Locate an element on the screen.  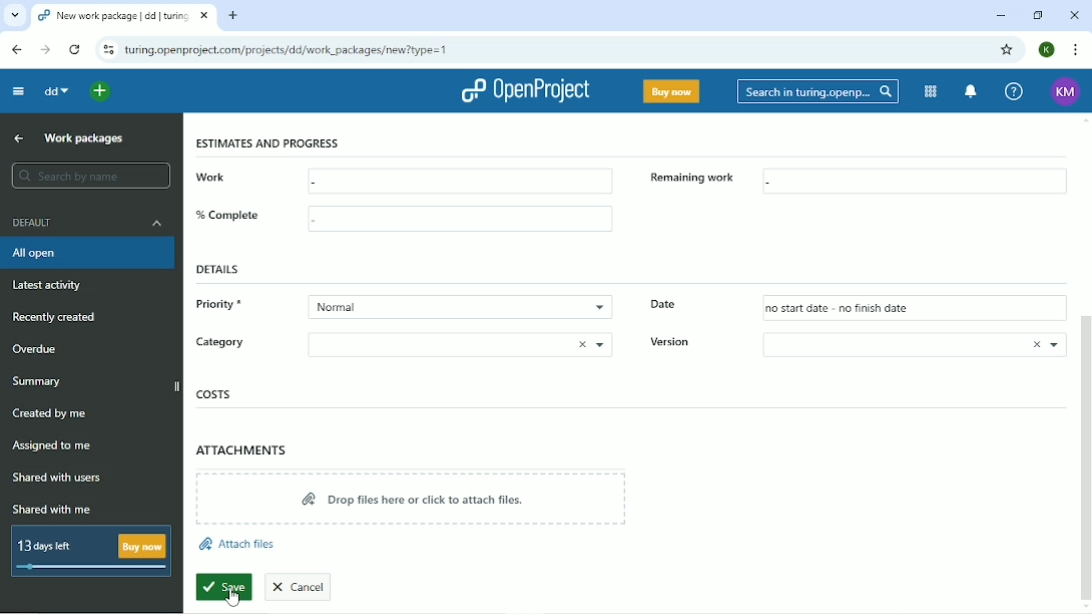
Latest activity is located at coordinates (45, 284).